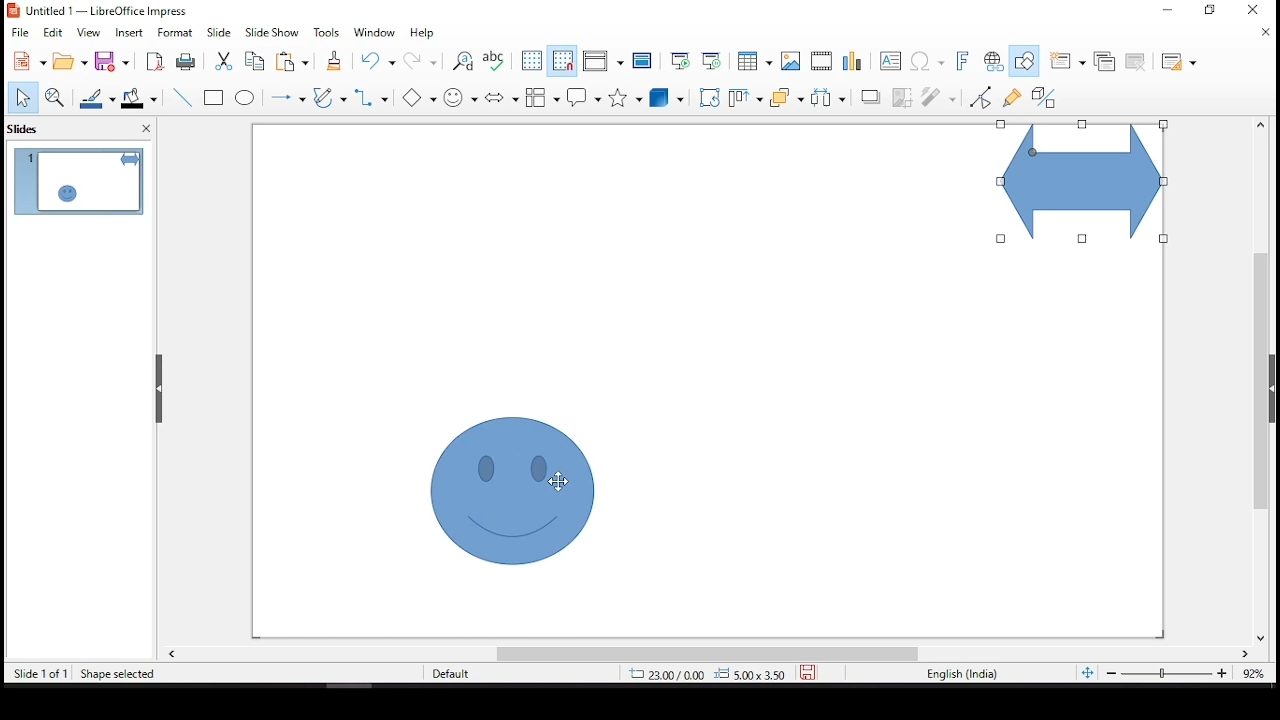  I want to click on charts, so click(855, 63).